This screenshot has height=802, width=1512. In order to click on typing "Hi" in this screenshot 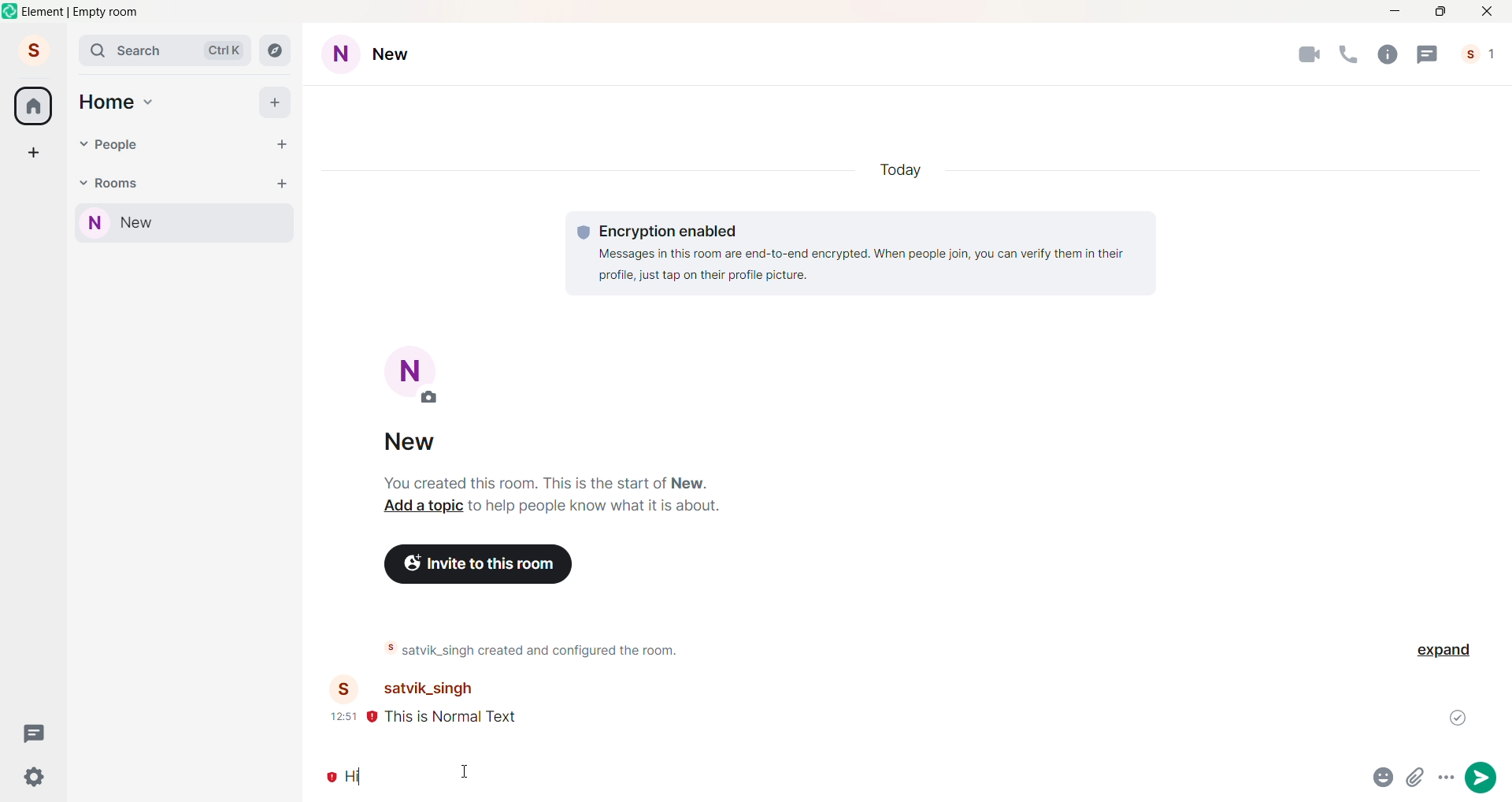, I will do `click(850, 779)`.